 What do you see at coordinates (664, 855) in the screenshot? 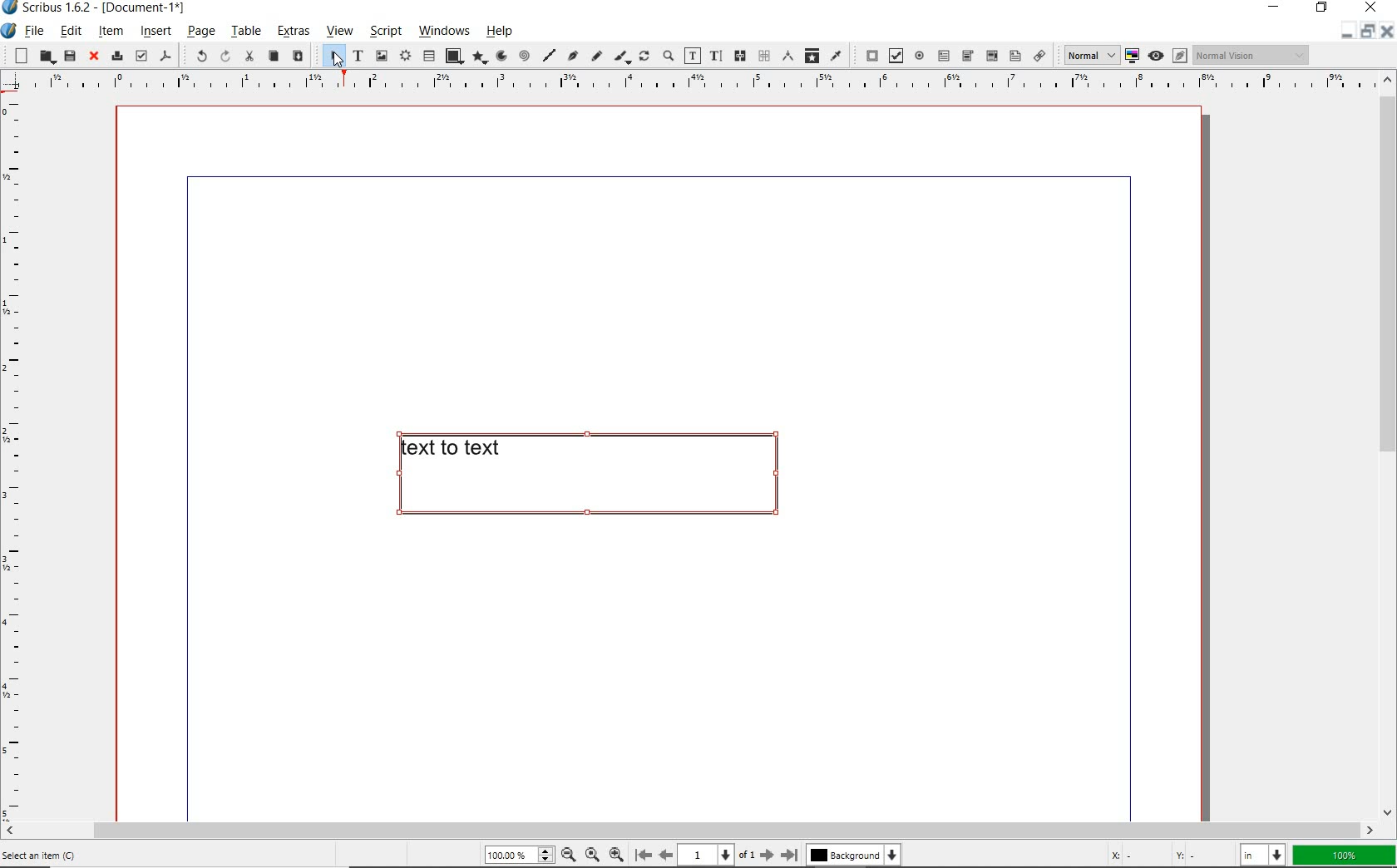
I see `Previous page` at bounding box center [664, 855].